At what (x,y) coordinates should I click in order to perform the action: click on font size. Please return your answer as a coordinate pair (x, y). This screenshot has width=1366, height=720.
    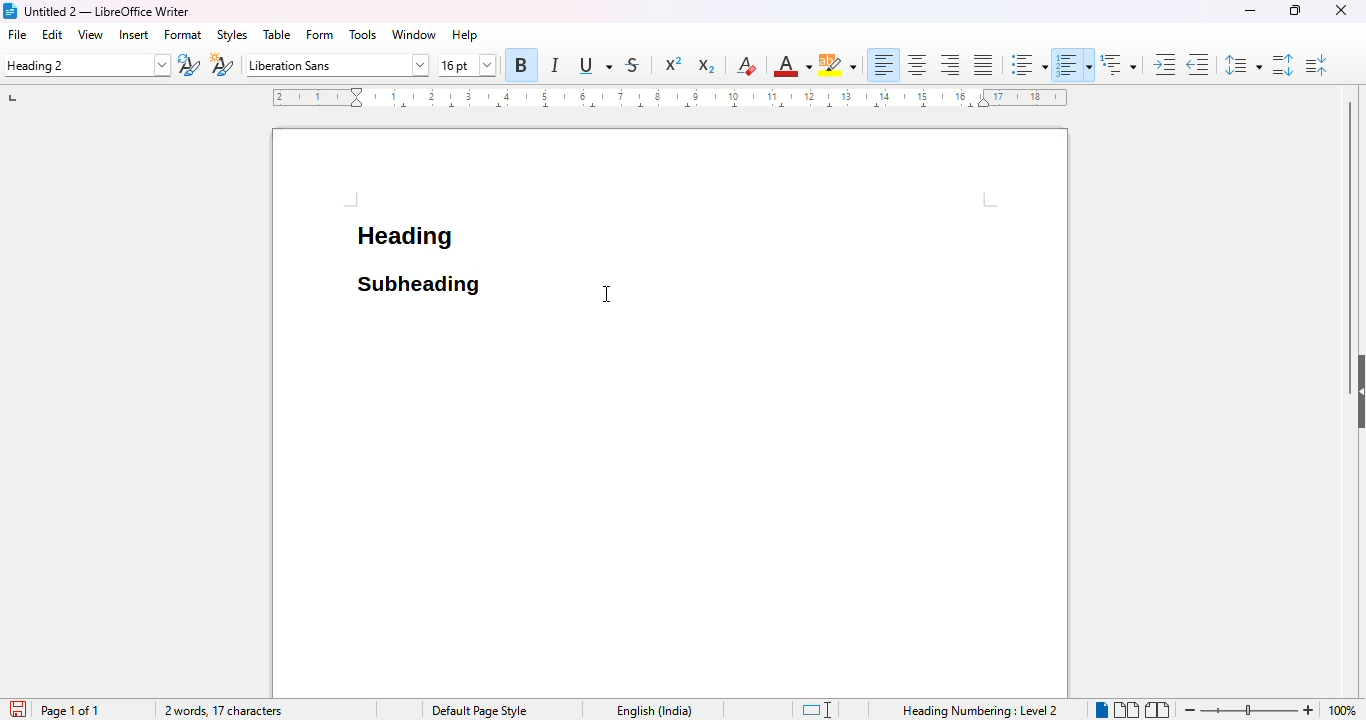
    Looking at the image, I should click on (468, 66).